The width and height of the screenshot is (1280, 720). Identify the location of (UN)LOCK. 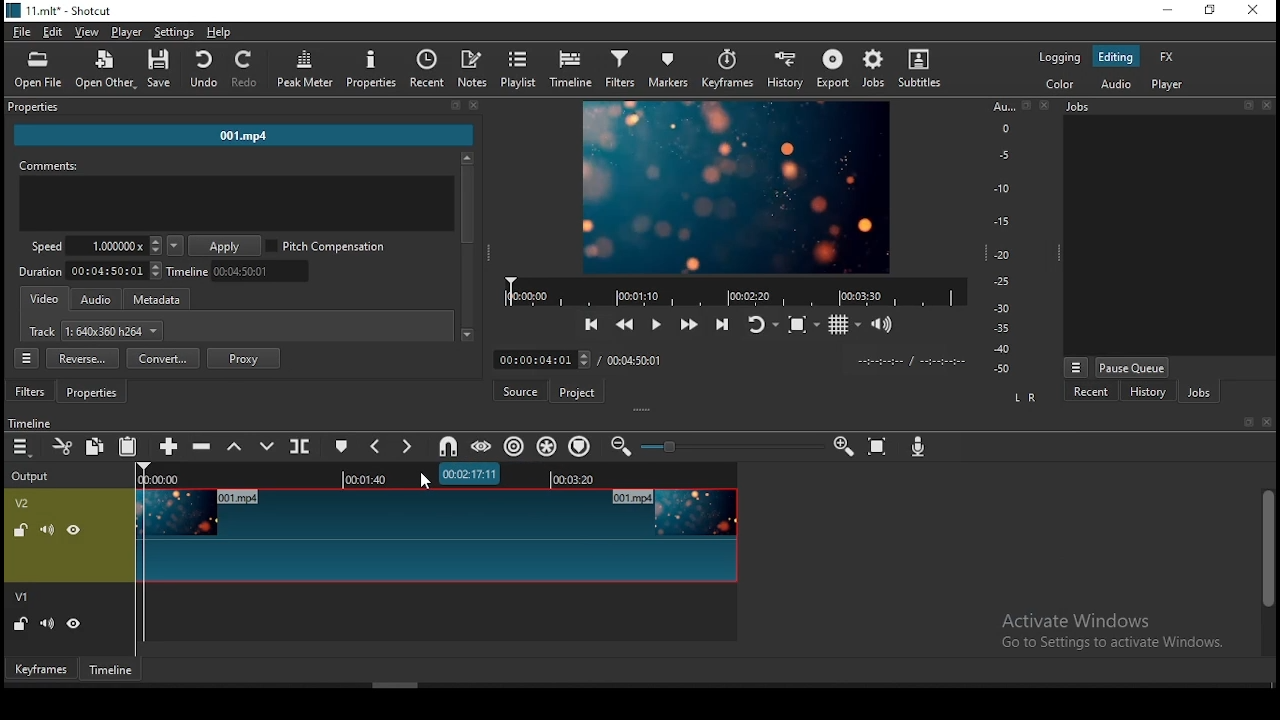
(20, 625).